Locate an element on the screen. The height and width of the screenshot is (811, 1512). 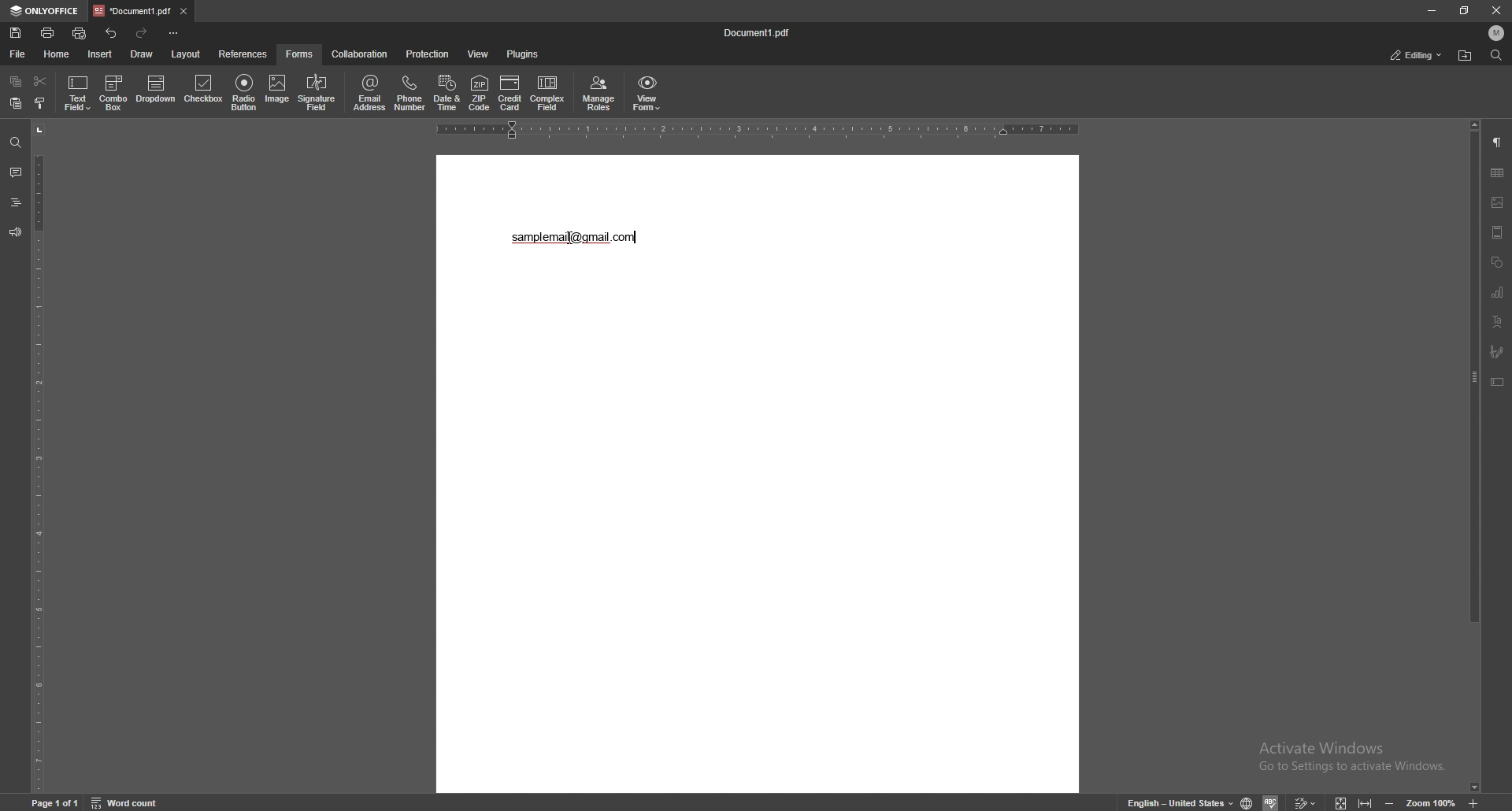
radio button is located at coordinates (245, 92).